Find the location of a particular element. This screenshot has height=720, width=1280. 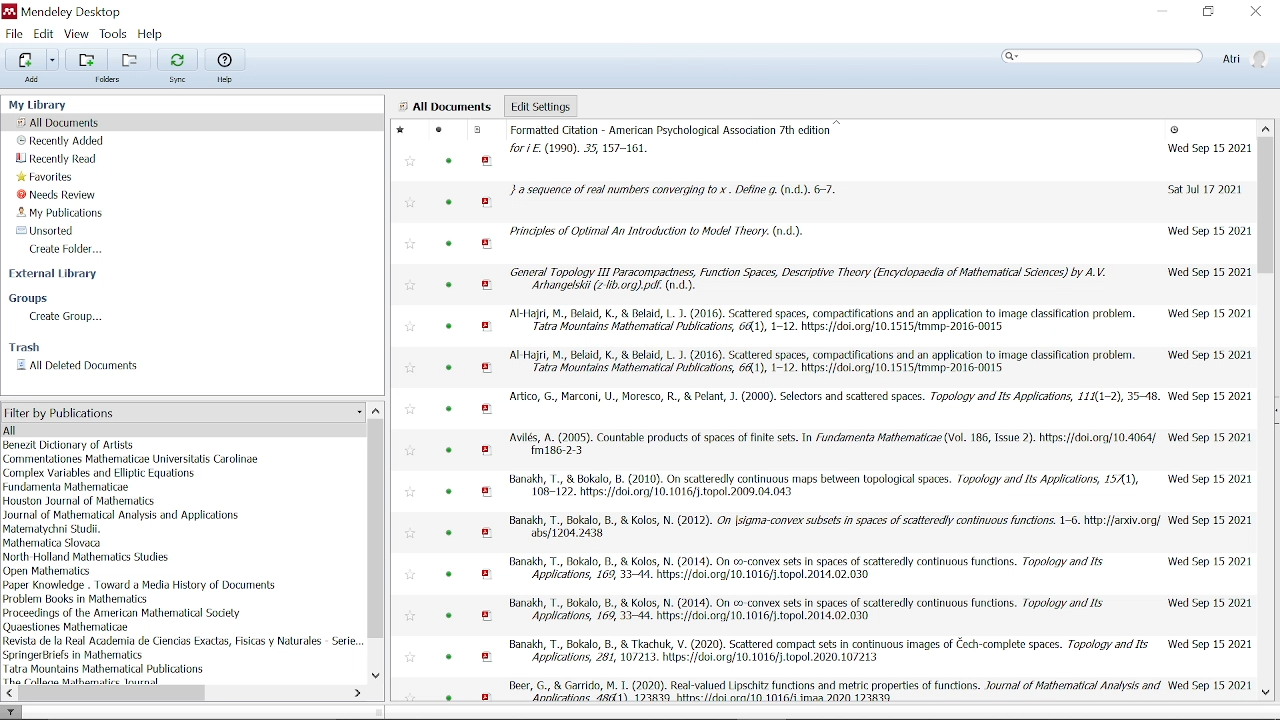

favourite is located at coordinates (412, 206).